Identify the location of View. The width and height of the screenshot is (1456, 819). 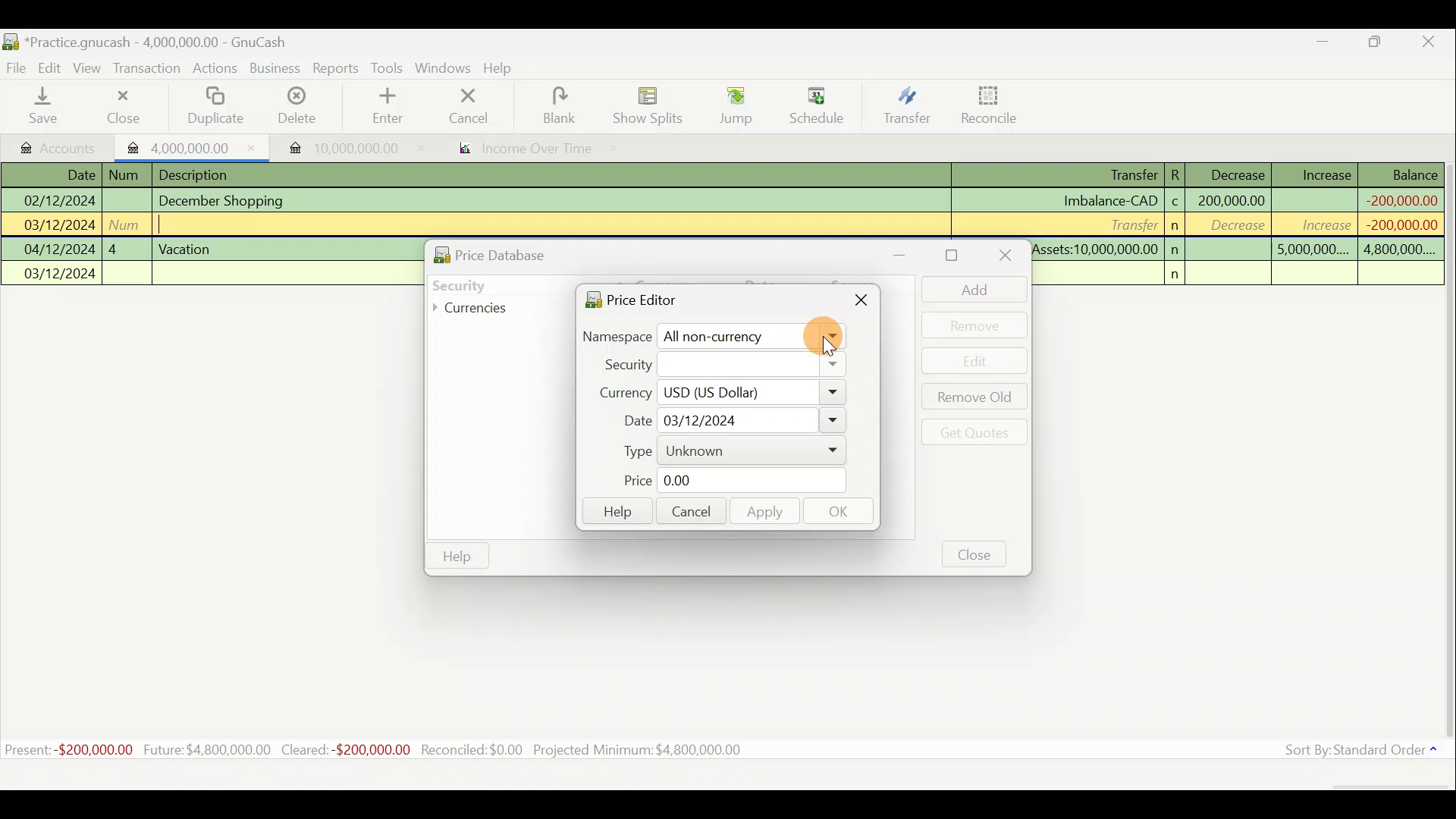
(92, 67).